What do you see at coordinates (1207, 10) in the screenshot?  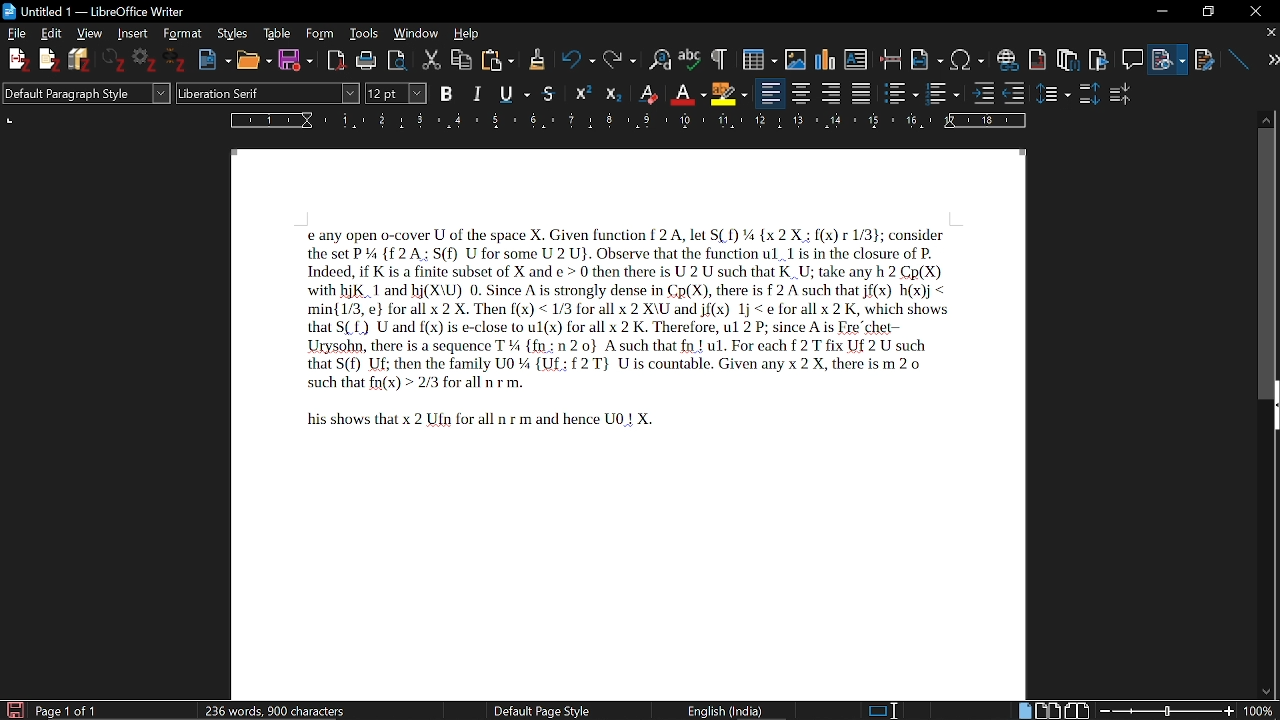 I see `maximize` at bounding box center [1207, 10].